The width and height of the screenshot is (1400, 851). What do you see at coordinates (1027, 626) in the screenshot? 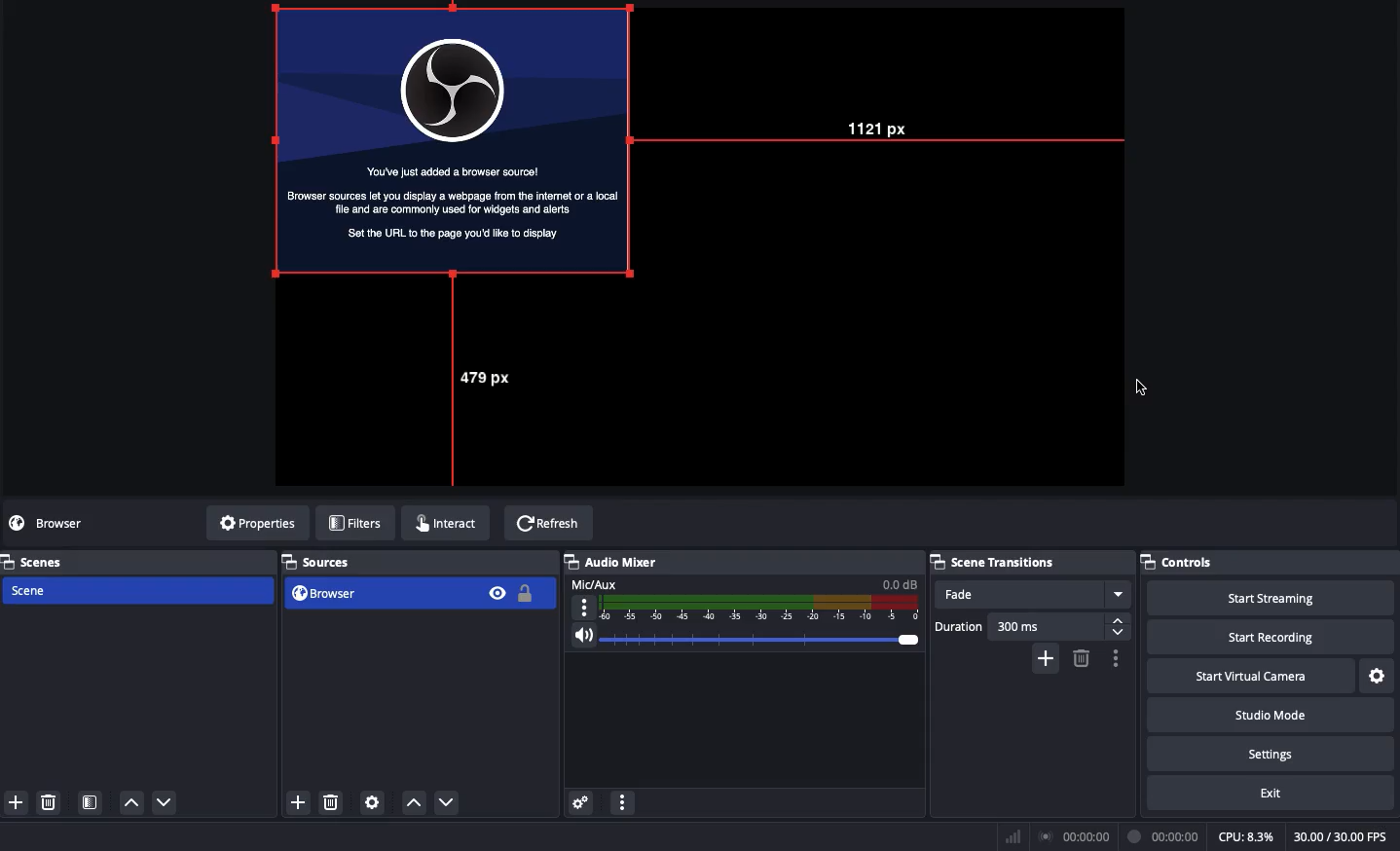
I see `Duration` at bounding box center [1027, 626].